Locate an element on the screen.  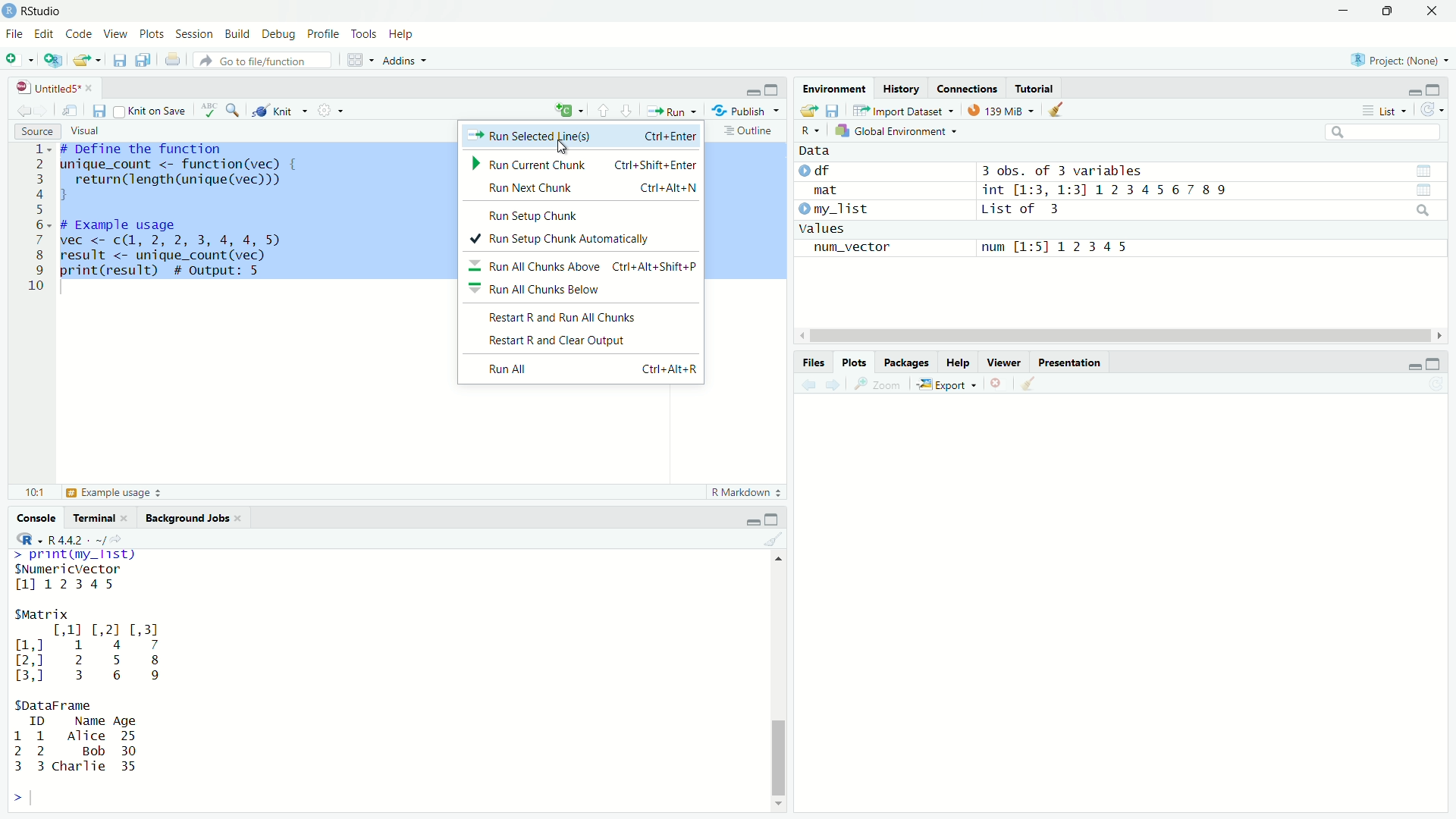
Run Nect Chunk is located at coordinates (530, 188).